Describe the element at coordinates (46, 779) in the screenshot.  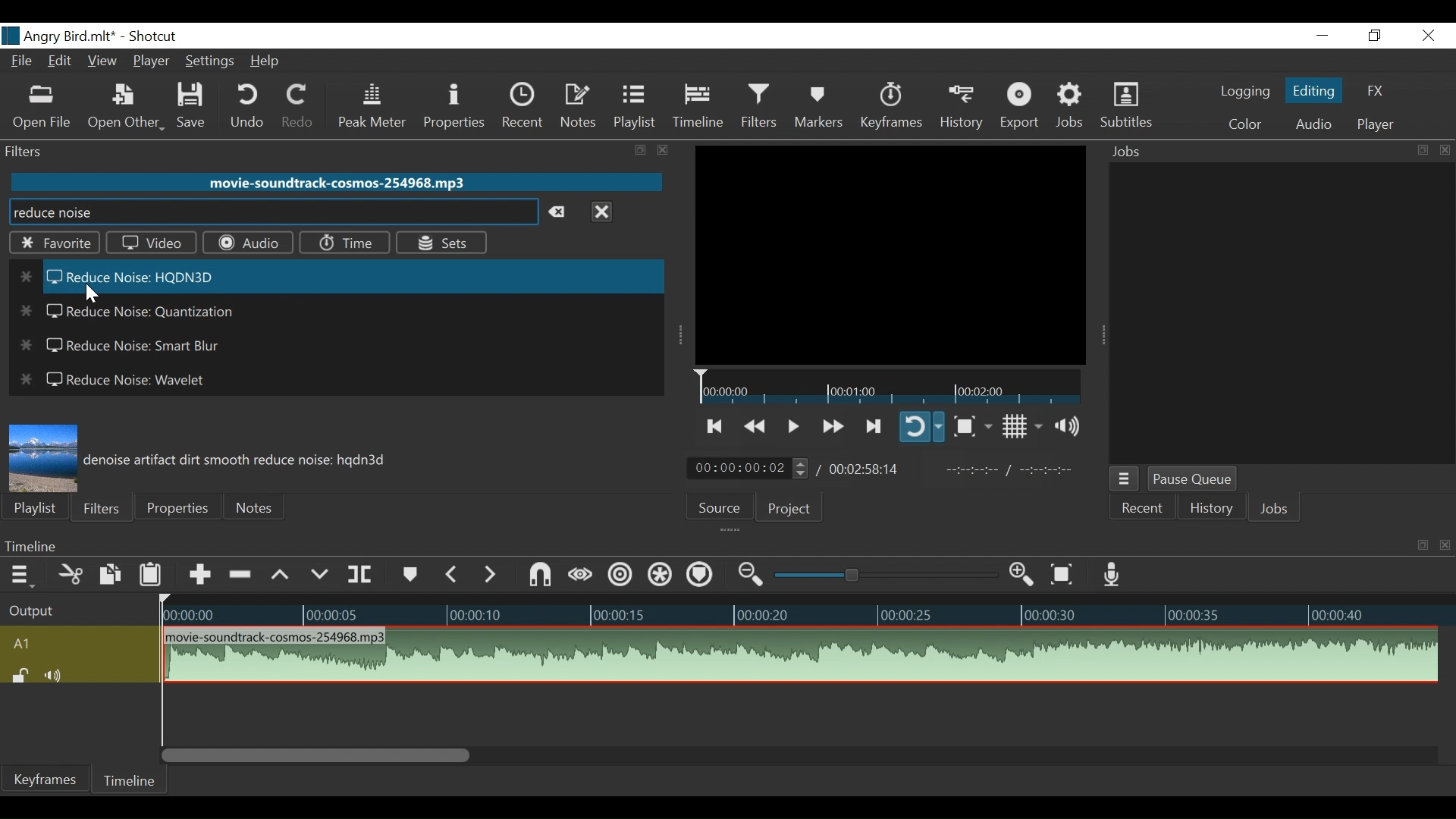
I see `Keyframes` at that location.